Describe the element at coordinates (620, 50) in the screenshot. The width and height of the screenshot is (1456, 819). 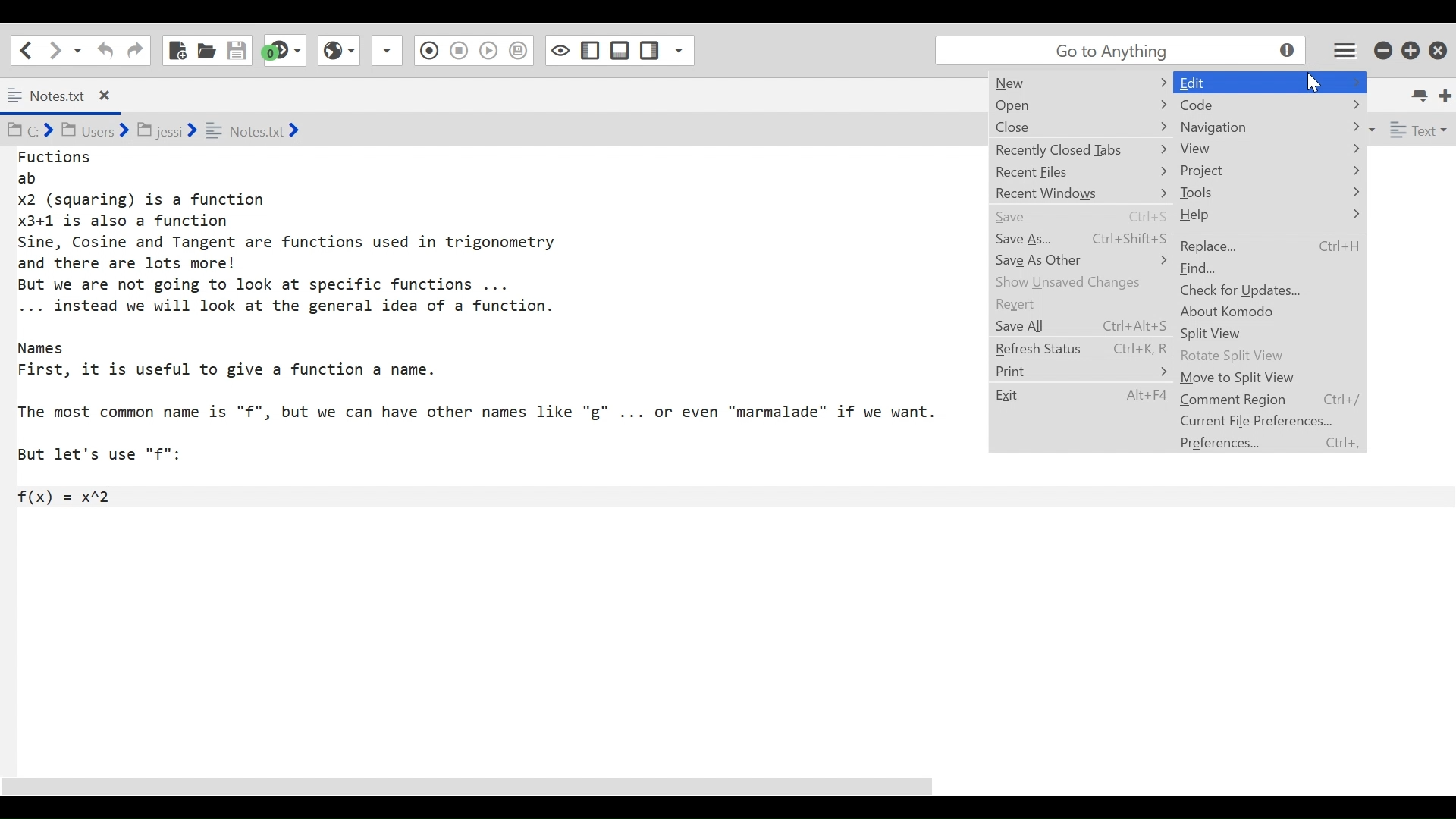
I see `Show/Hide Left Pane` at that location.